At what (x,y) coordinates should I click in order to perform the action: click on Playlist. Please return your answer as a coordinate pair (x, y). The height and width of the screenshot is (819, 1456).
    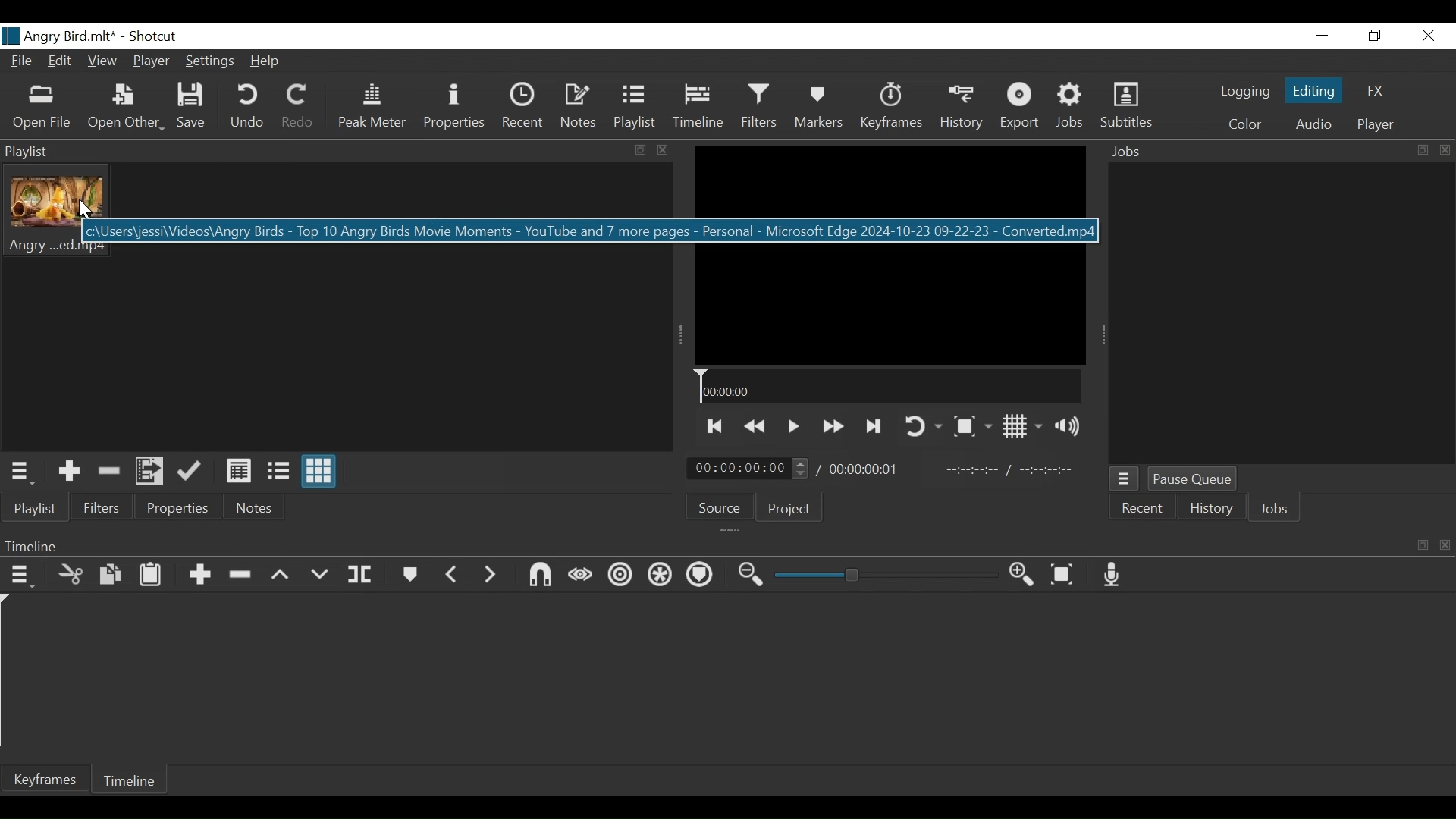
    Looking at the image, I should click on (35, 507).